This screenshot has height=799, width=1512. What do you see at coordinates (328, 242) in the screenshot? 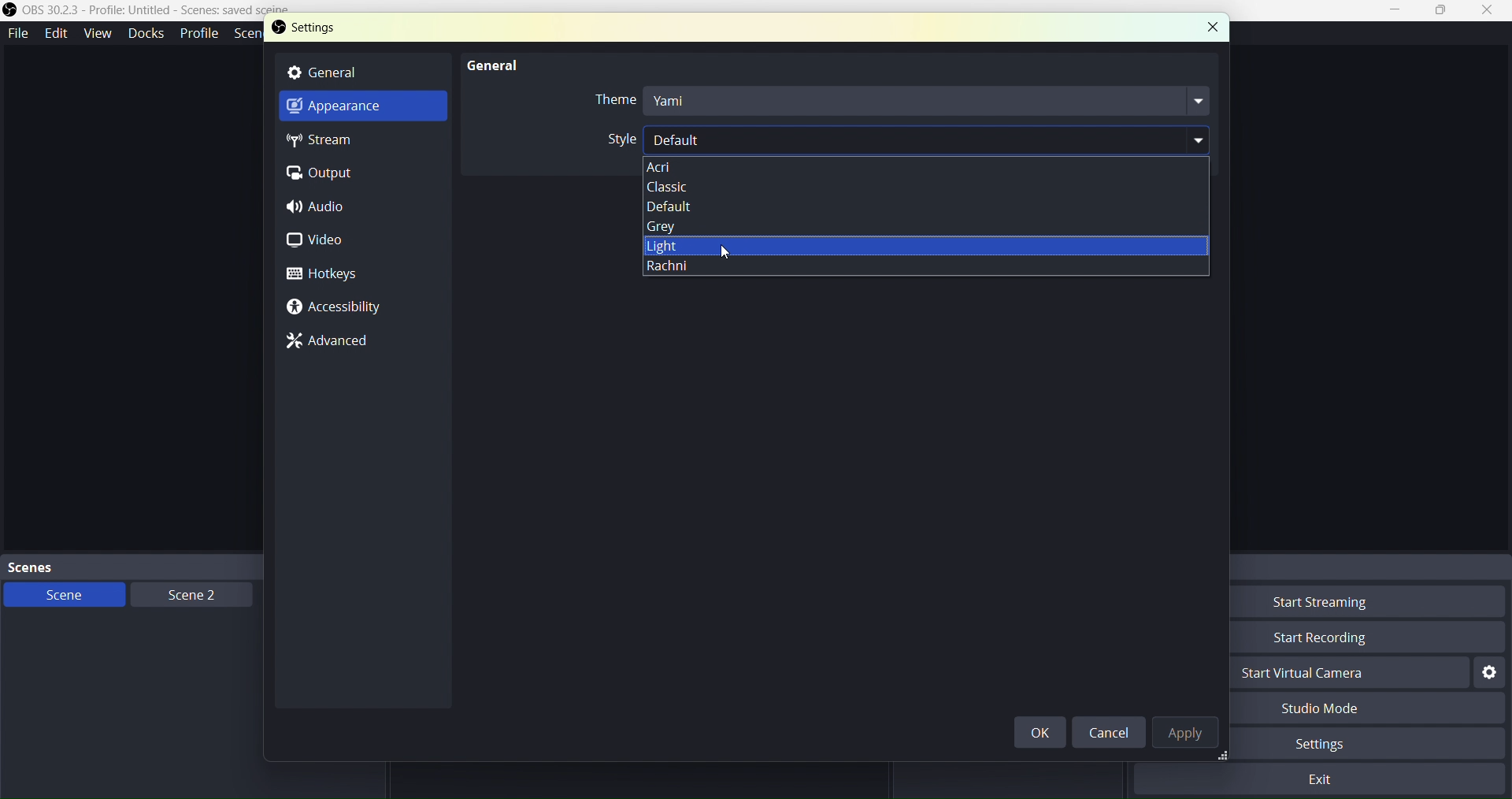
I see `Video` at bounding box center [328, 242].